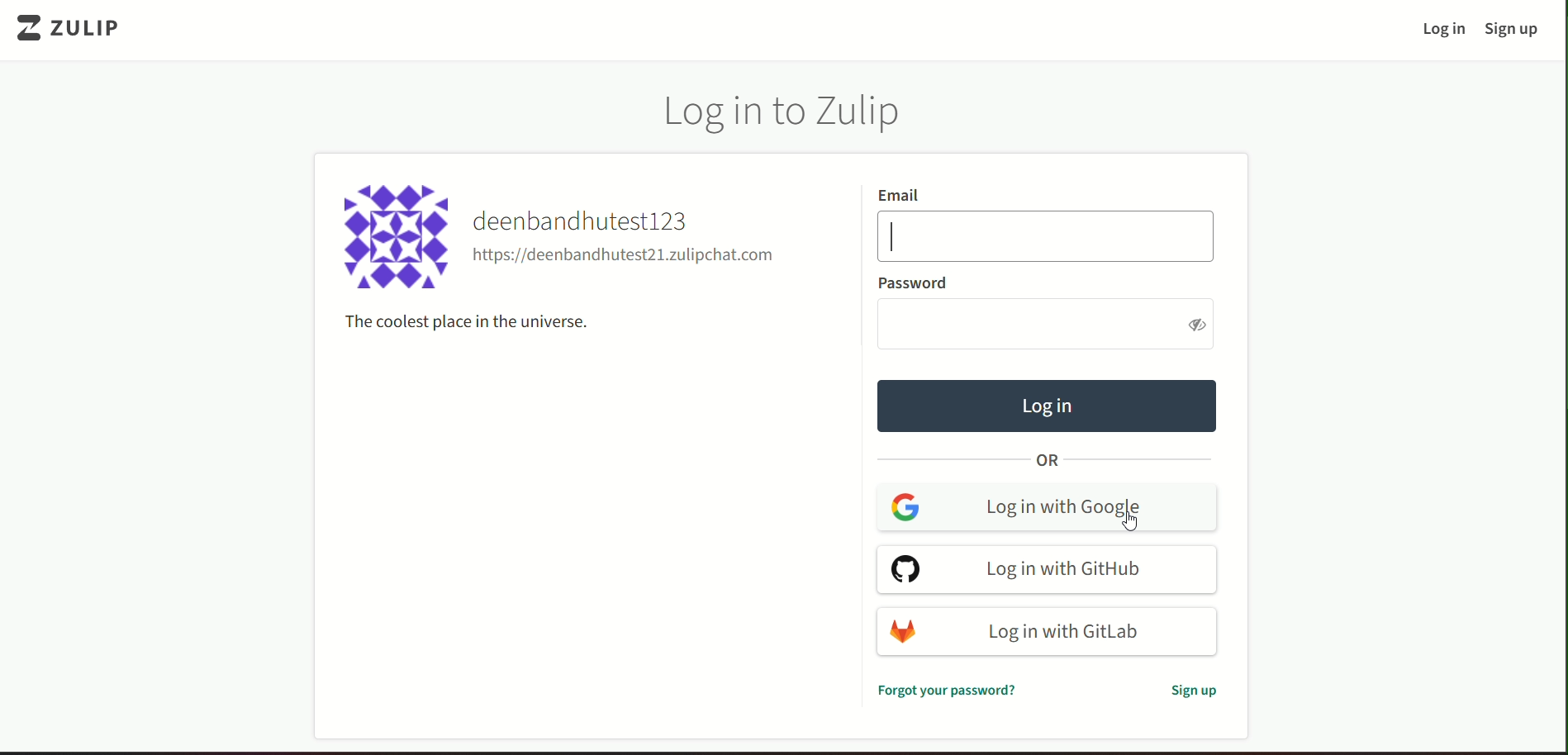  What do you see at coordinates (1053, 323) in the screenshot?
I see `textbox` at bounding box center [1053, 323].